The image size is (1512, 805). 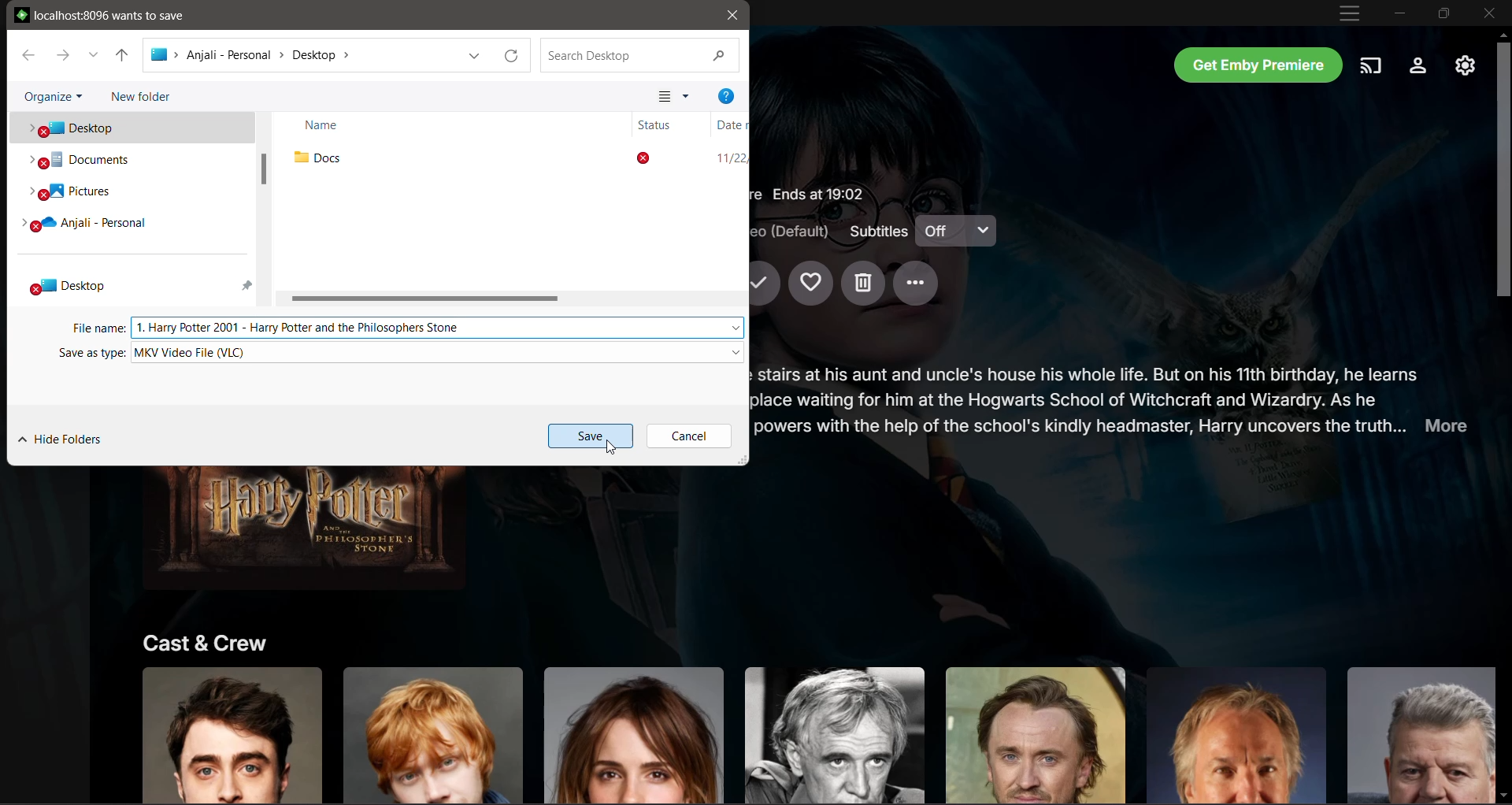 What do you see at coordinates (810, 195) in the screenshot?
I see `Movie Details` at bounding box center [810, 195].